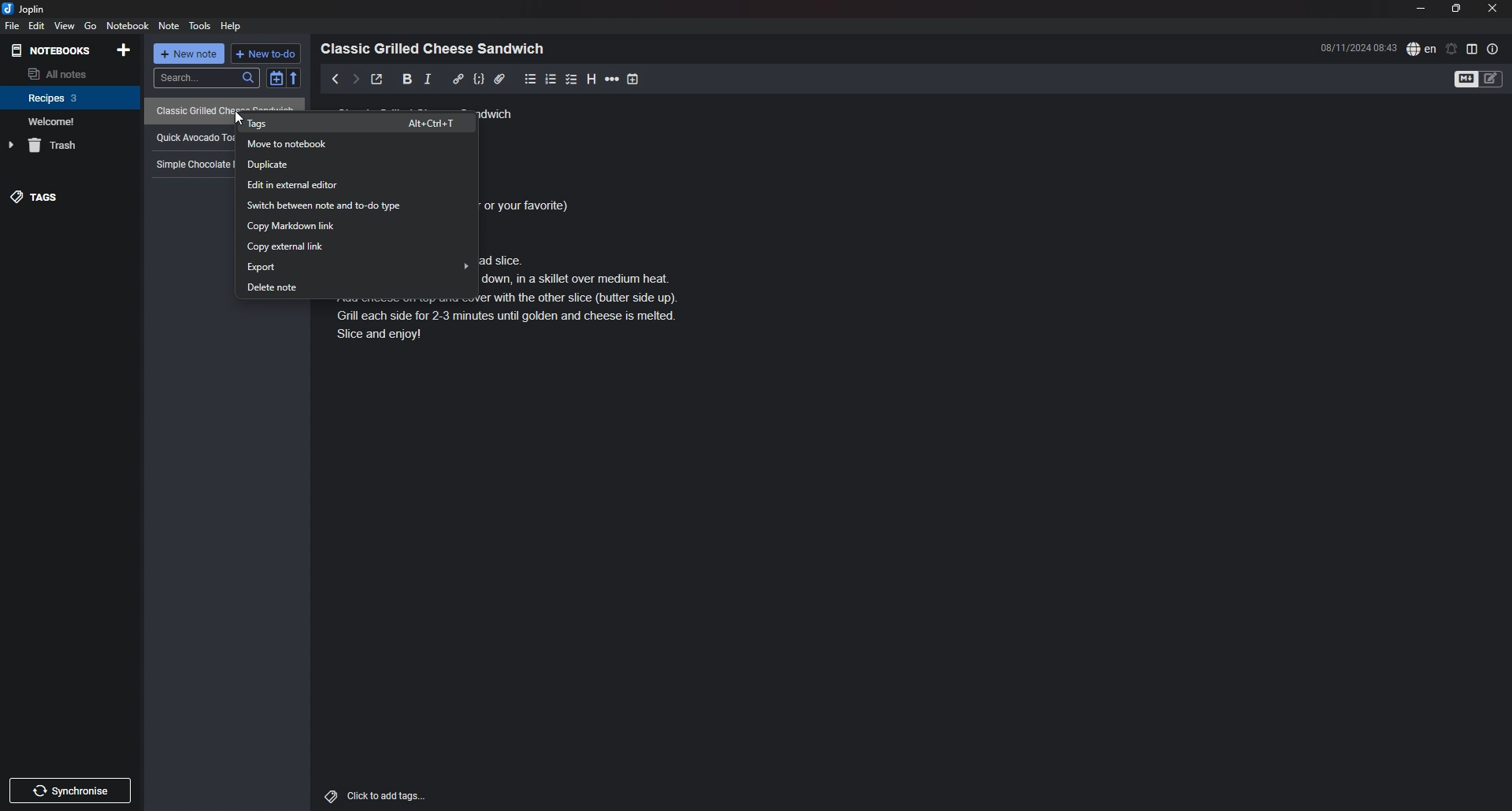 The image size is (1512, 811). What do you see at coordinates (358, 185) in the screenshot?
I see `edit in external editor` at bounding box center [358, 185].